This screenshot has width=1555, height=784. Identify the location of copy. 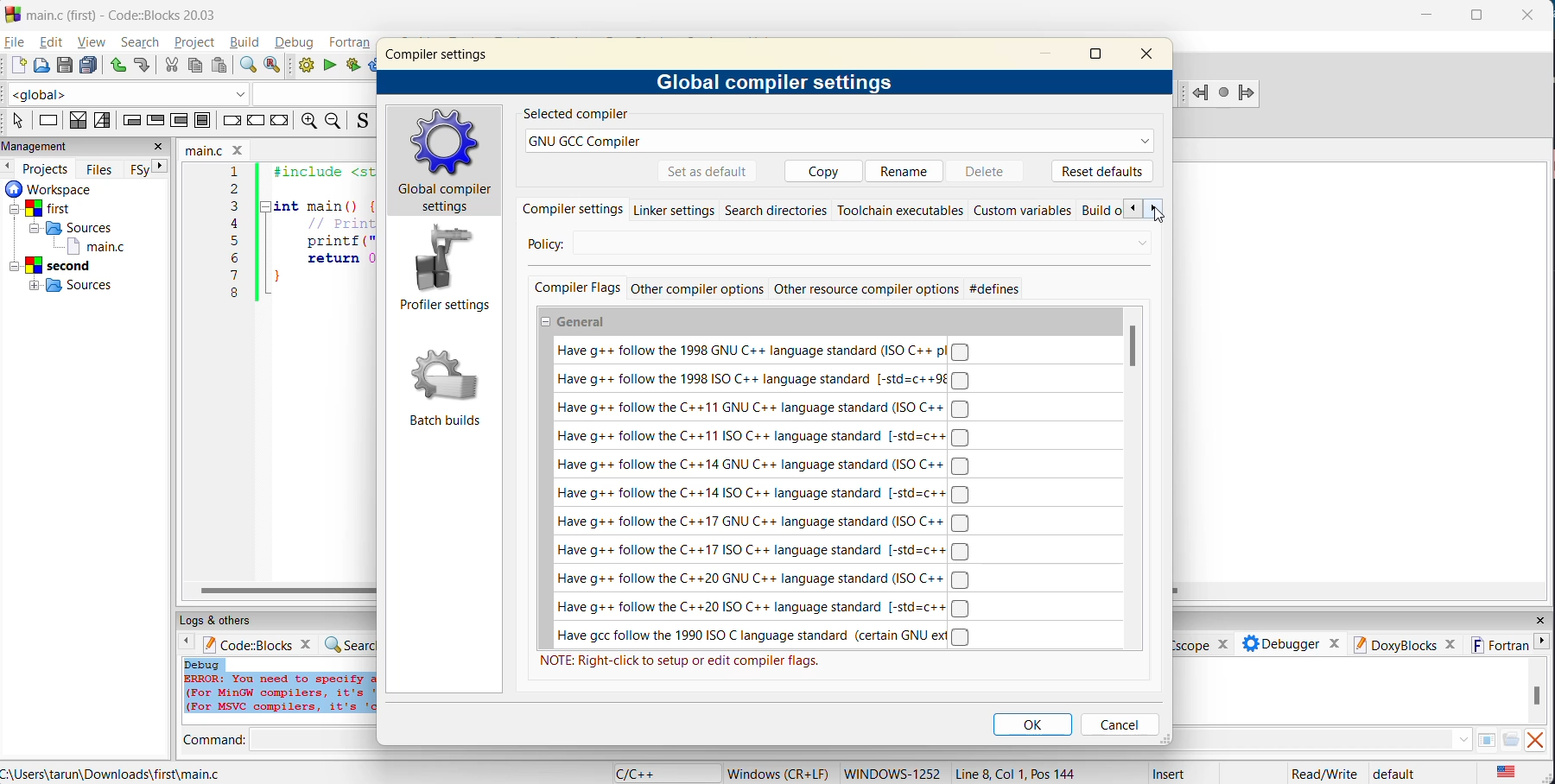
(197, 66).